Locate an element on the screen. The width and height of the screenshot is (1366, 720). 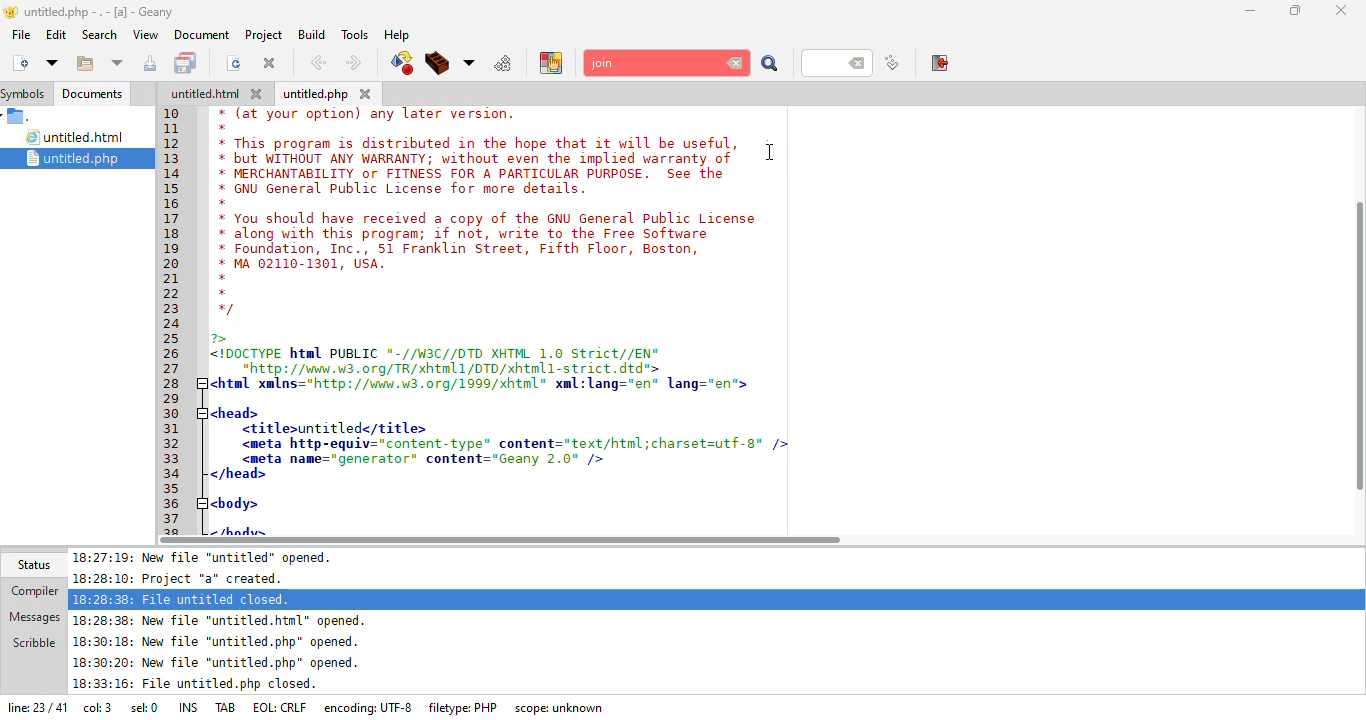
32 is located at coordinates (174, 443).